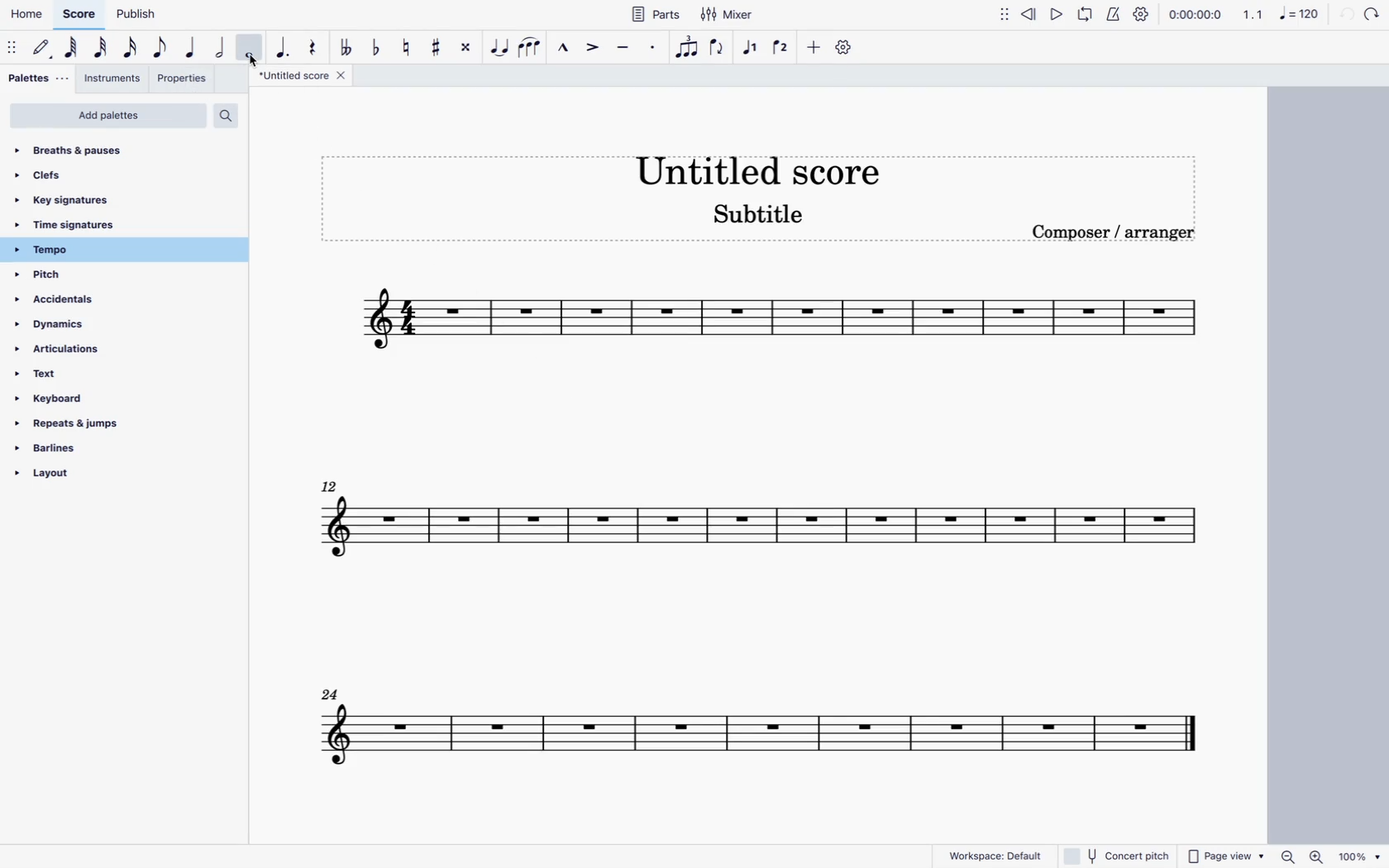  What do you see at coordinates (283, 47) in the screenshot?
I see `augmentative dot` at bounding box center [283, 47].